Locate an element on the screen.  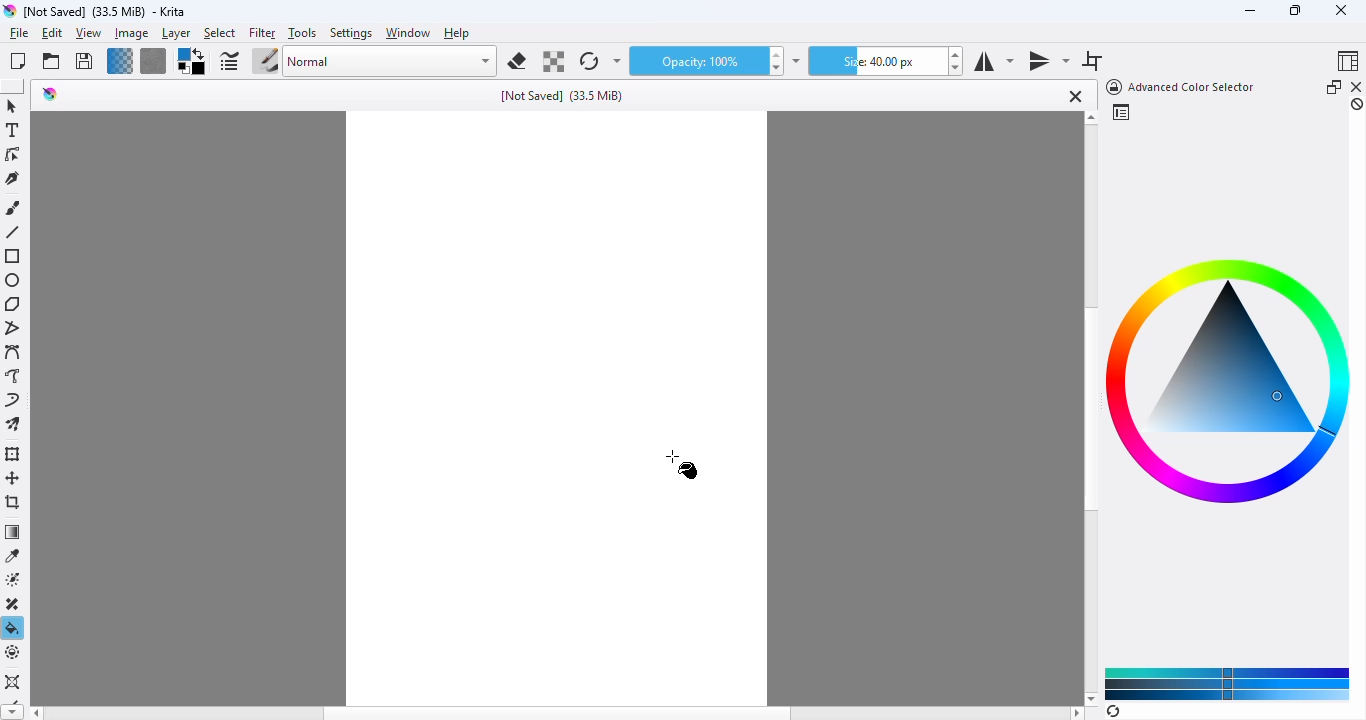
polyline tool is located at coordinates (15, 328).